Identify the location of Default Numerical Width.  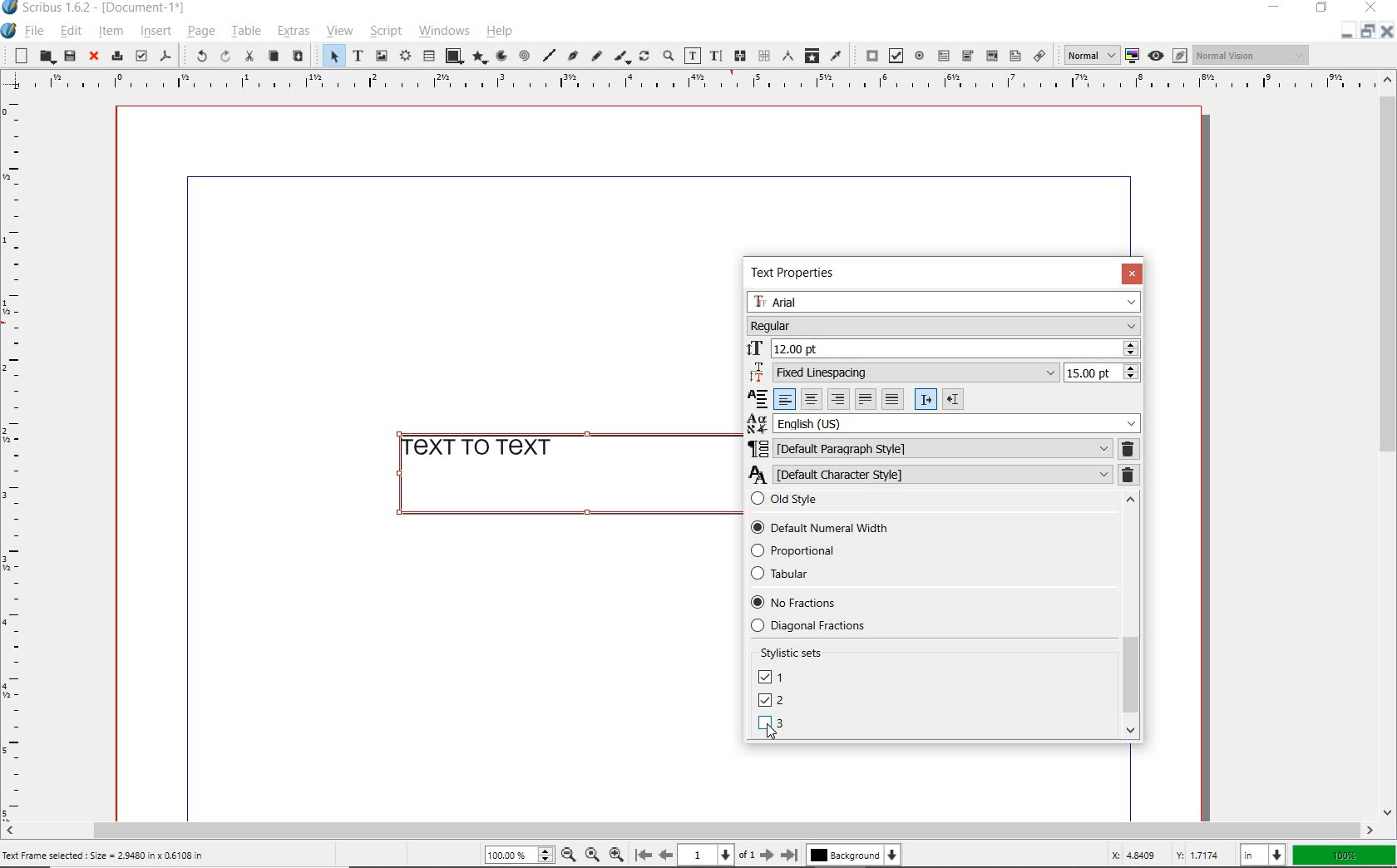
(816, 528).